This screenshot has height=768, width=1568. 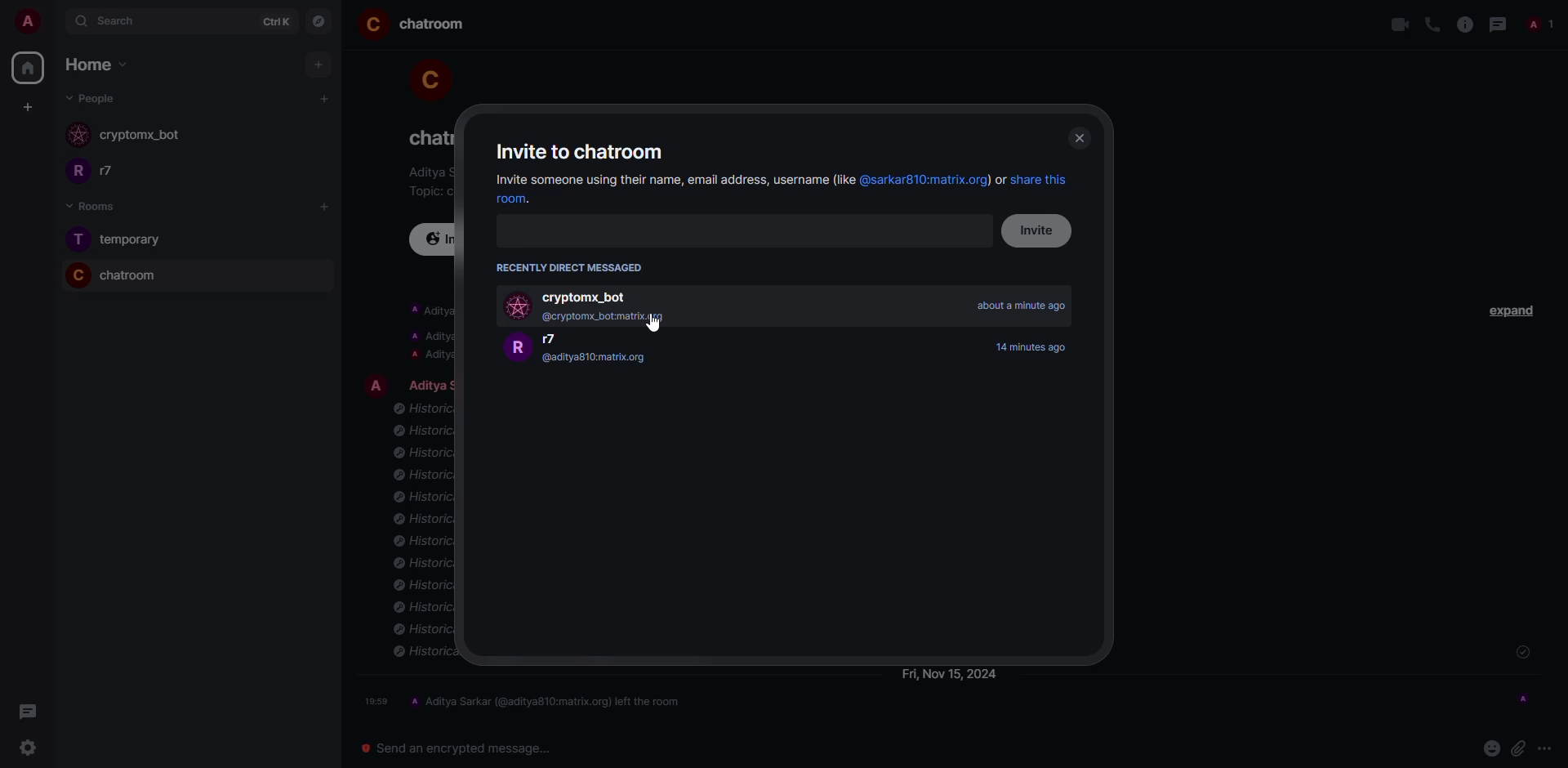 What do you see at coordinates (1570, 495) in the screenshot?
I see `scroll bar` at bounding box center [1570, 495].